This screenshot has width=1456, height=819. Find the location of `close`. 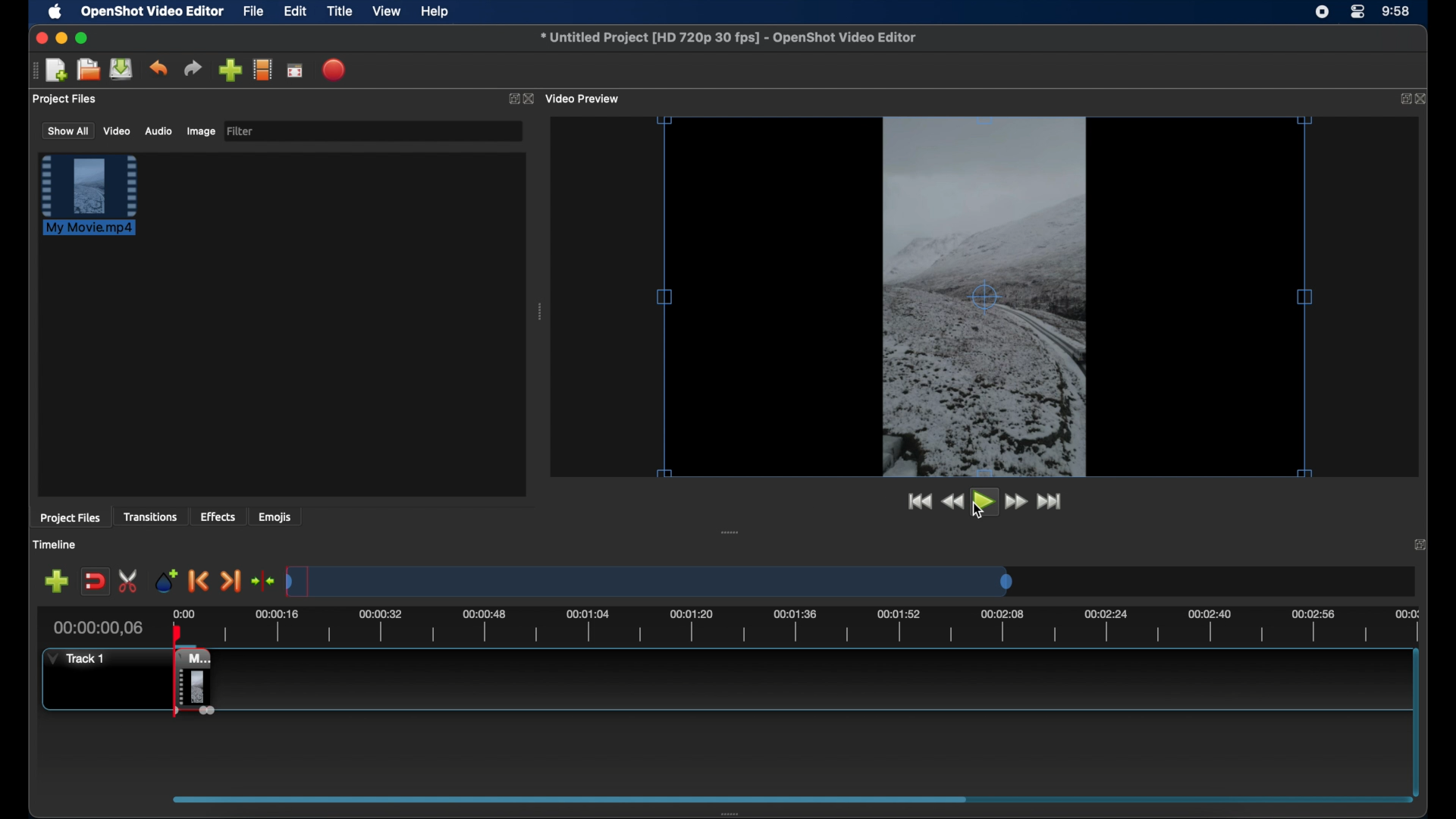

close is located at coordinates (1423, 99).